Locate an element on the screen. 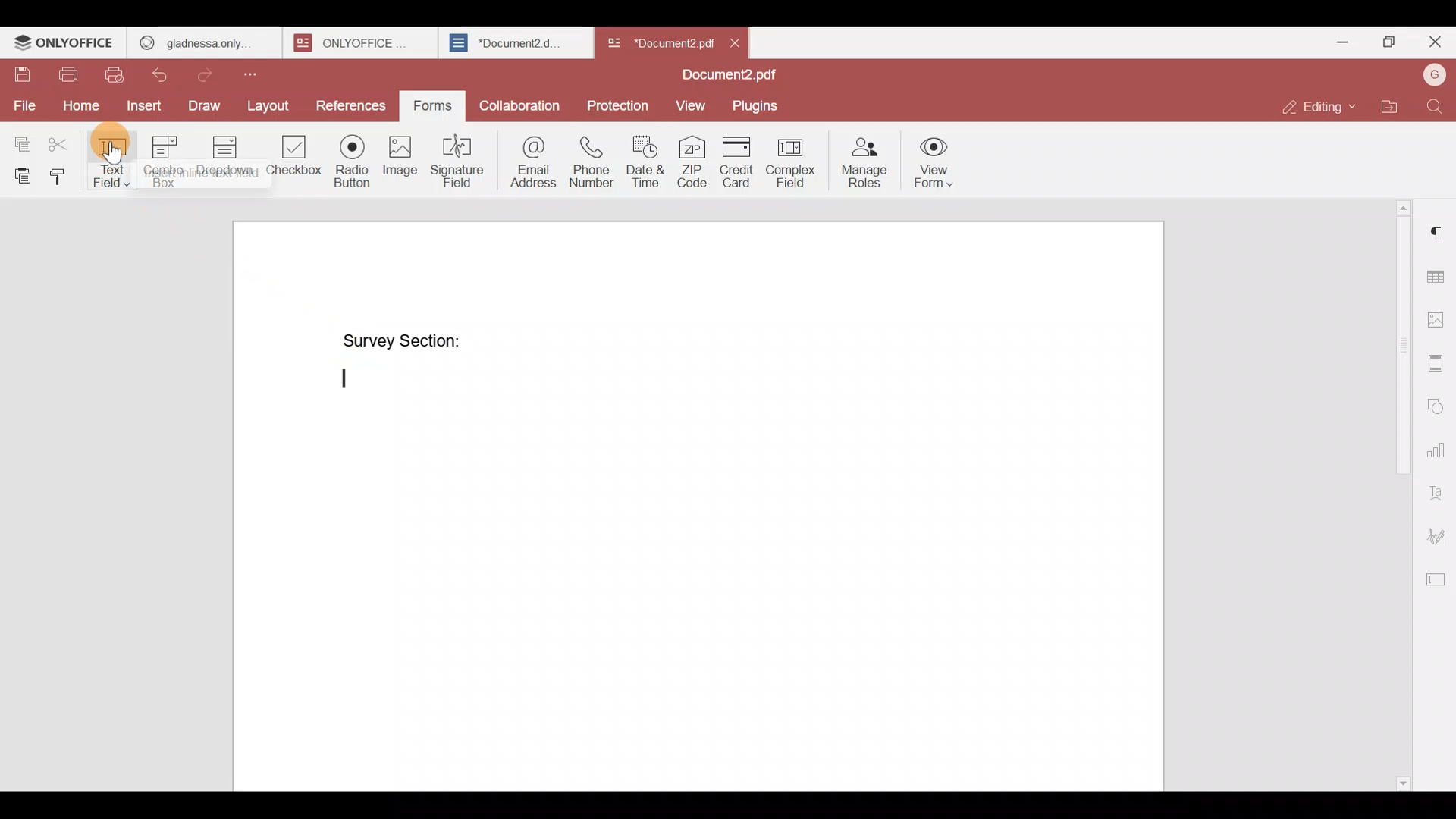 This screenshot has height=819, width=1456. ONLYOFFICE is located at coordinates (356, 42).